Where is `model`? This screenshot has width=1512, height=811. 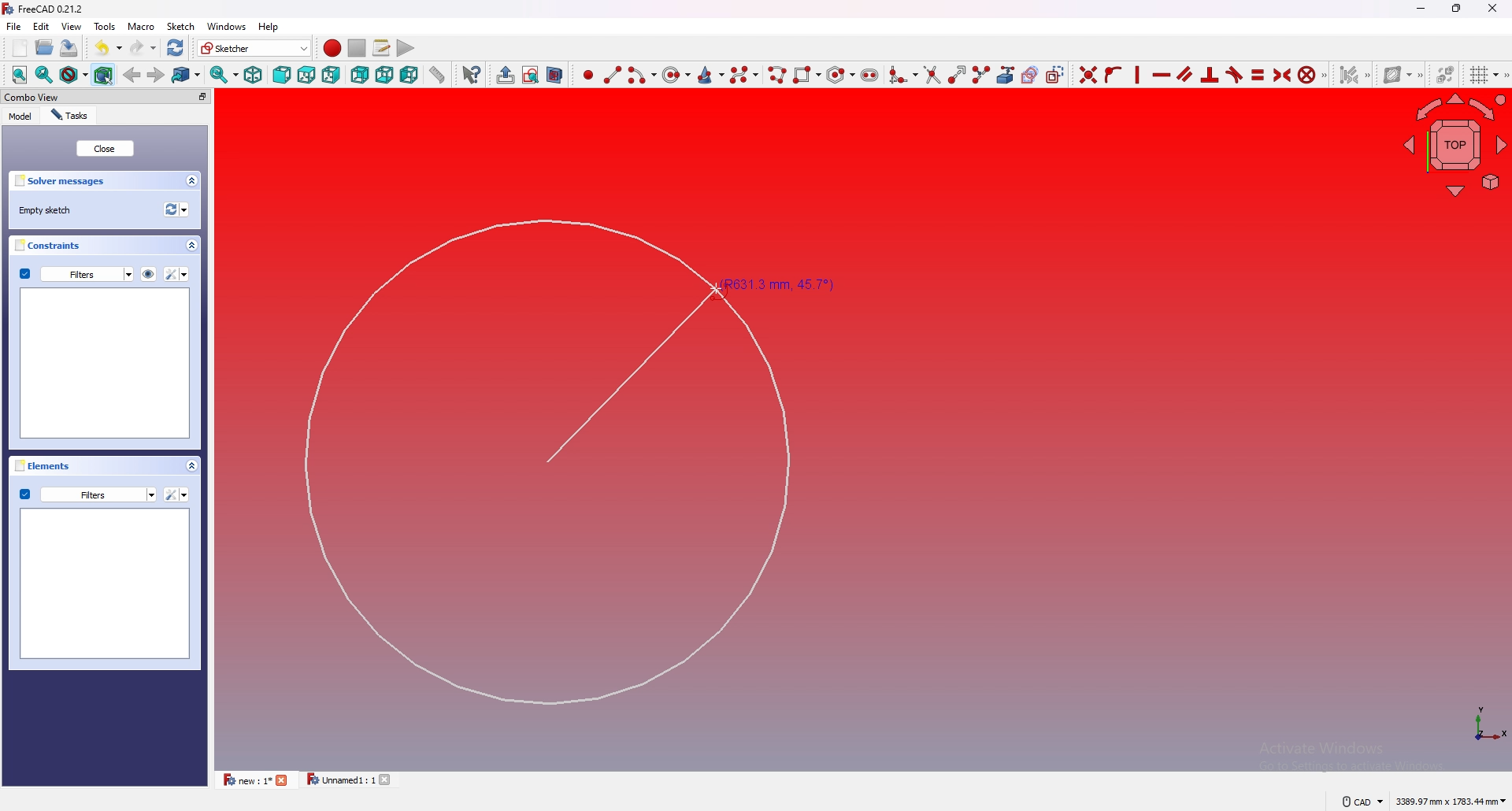
model is located at coordinates (20, 117).